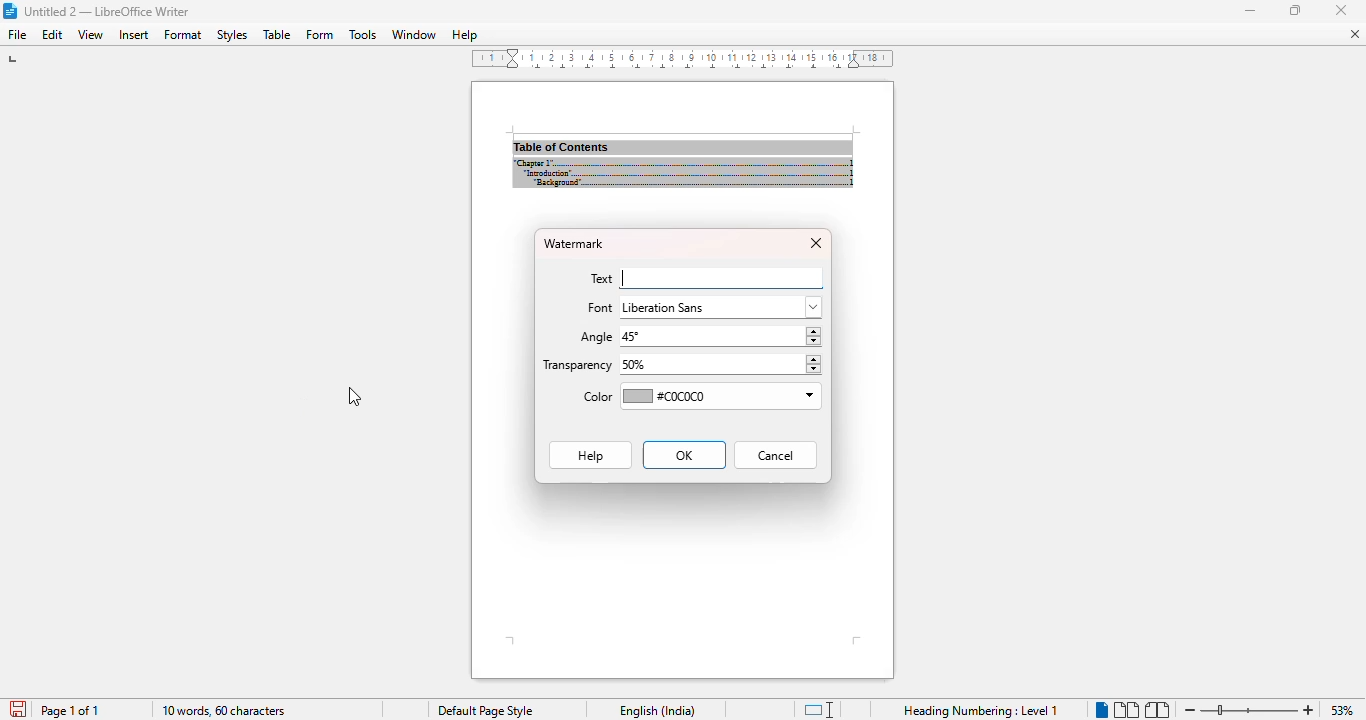  Describe the element at coordinates (488, 710) in the screenshot. I see `default page style` at that location.